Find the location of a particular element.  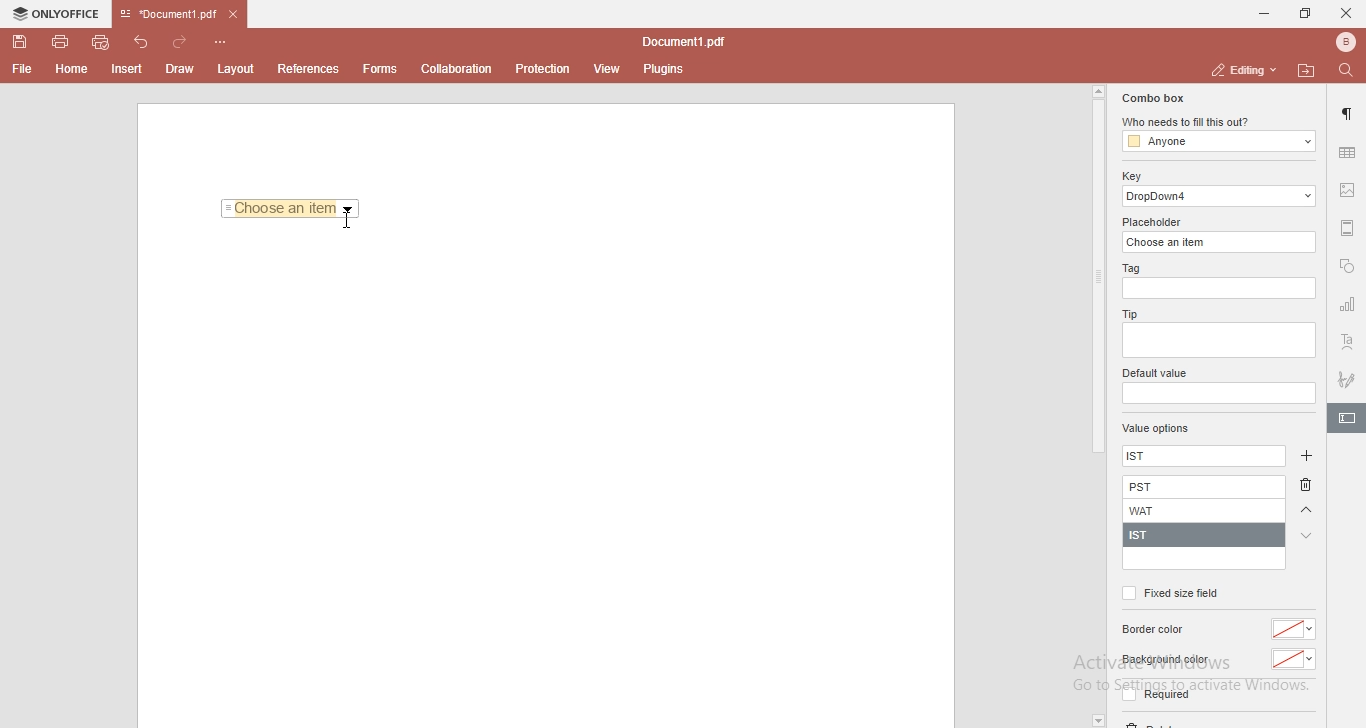

dropdown 4 is located at coordinates (1220, 196).